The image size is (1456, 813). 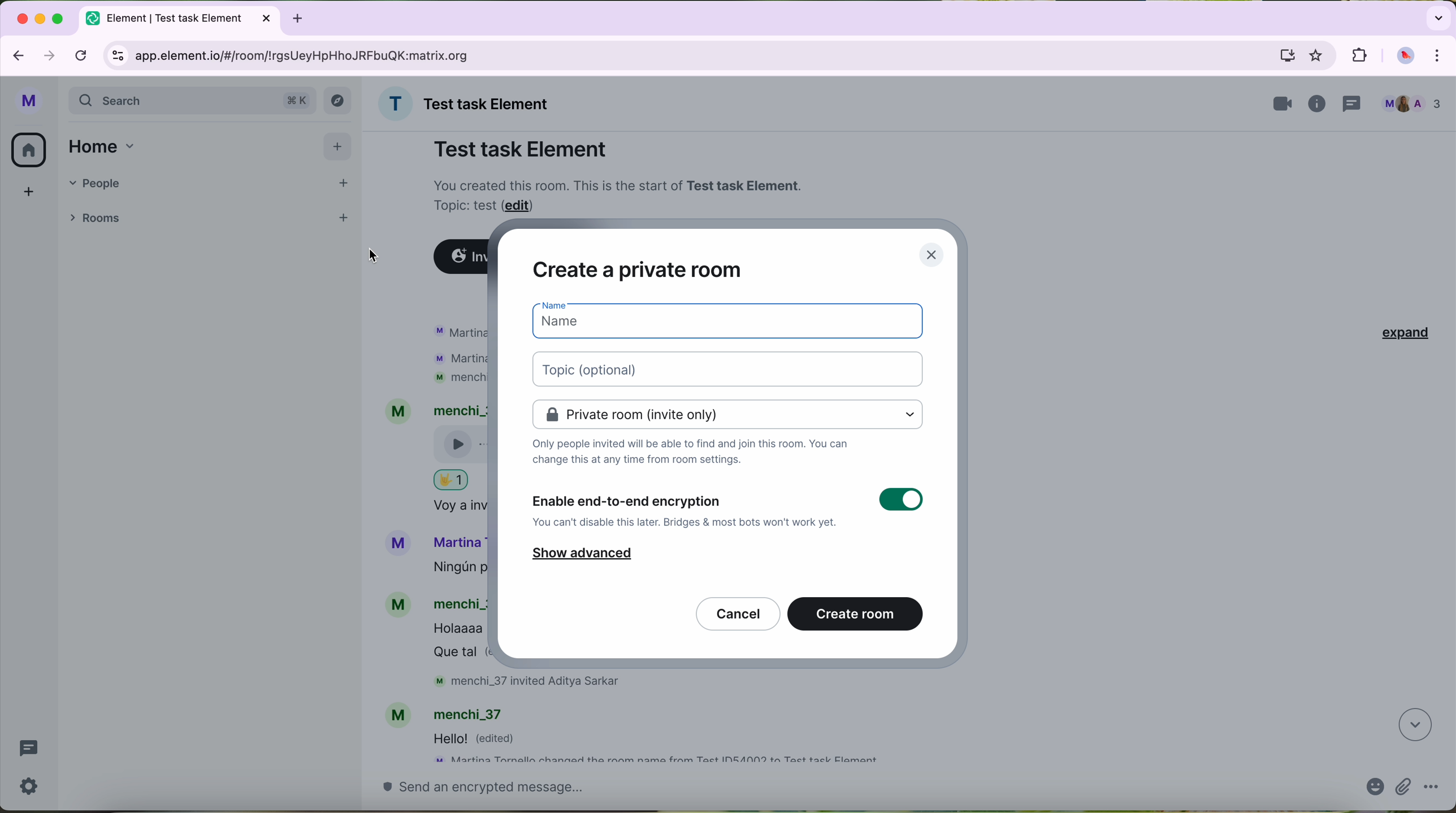 What do you see at coordinates (1319, 105) in the screenshot?
I see `information` at bounding box center [1319, 105].